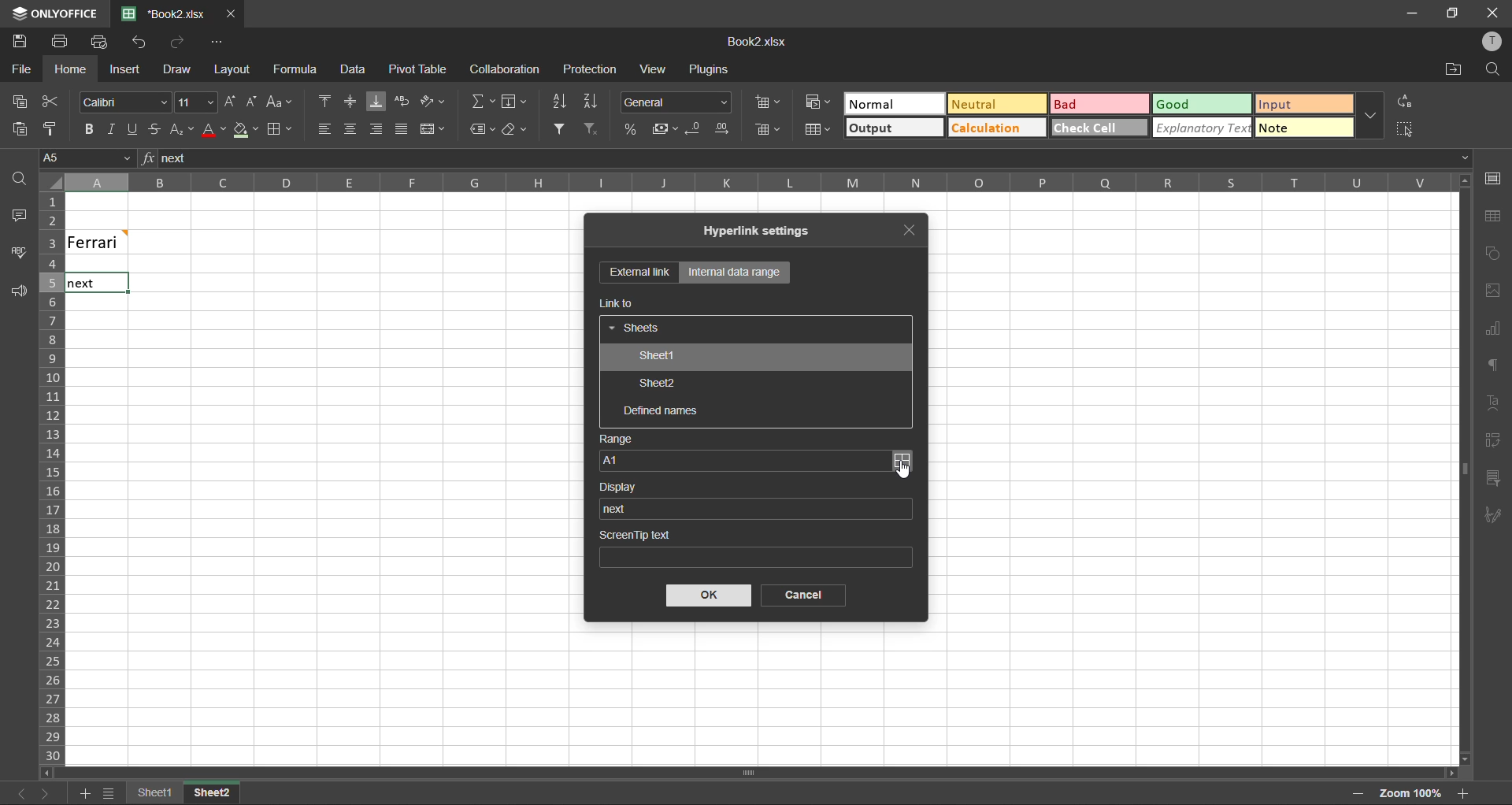 The width and height of the screenshot is (1512, 805). What do you see at coordinates (1462, 792) in the screenshot?
I see `zoom in` at bounding box center [1462, 792].